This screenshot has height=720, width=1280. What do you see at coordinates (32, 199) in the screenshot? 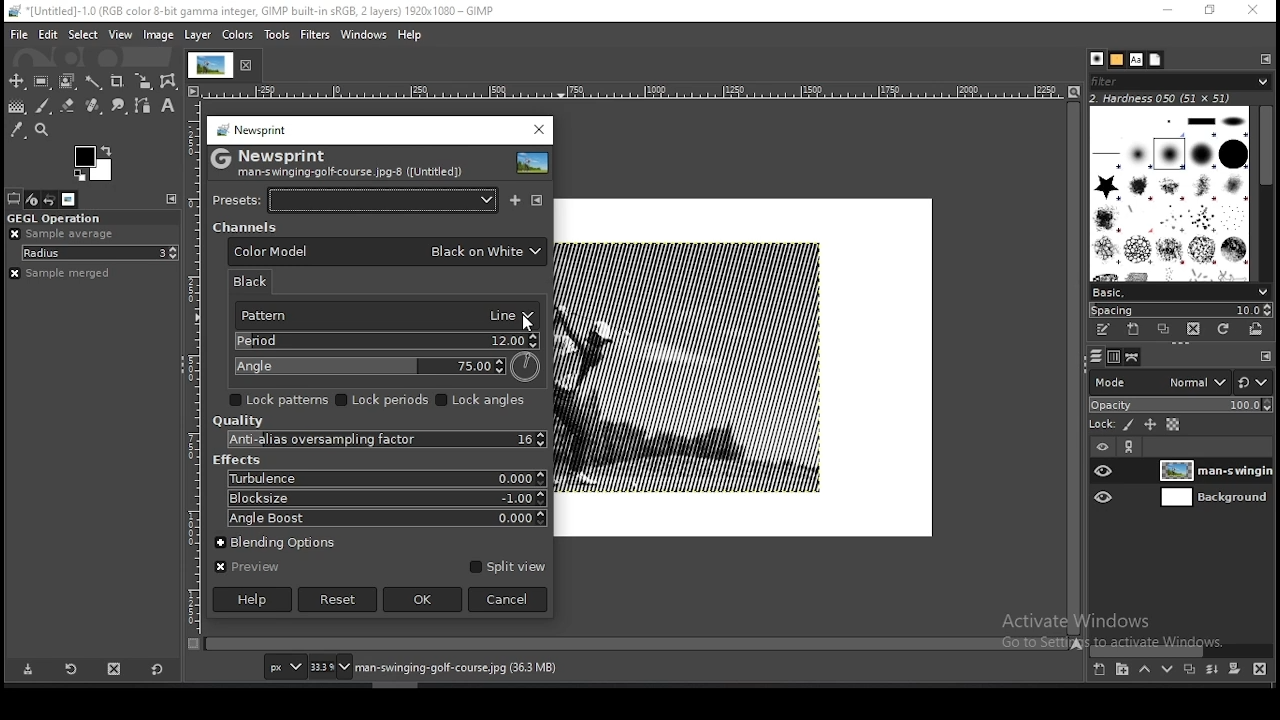
I see `device status` at bounding box center [32, 199].